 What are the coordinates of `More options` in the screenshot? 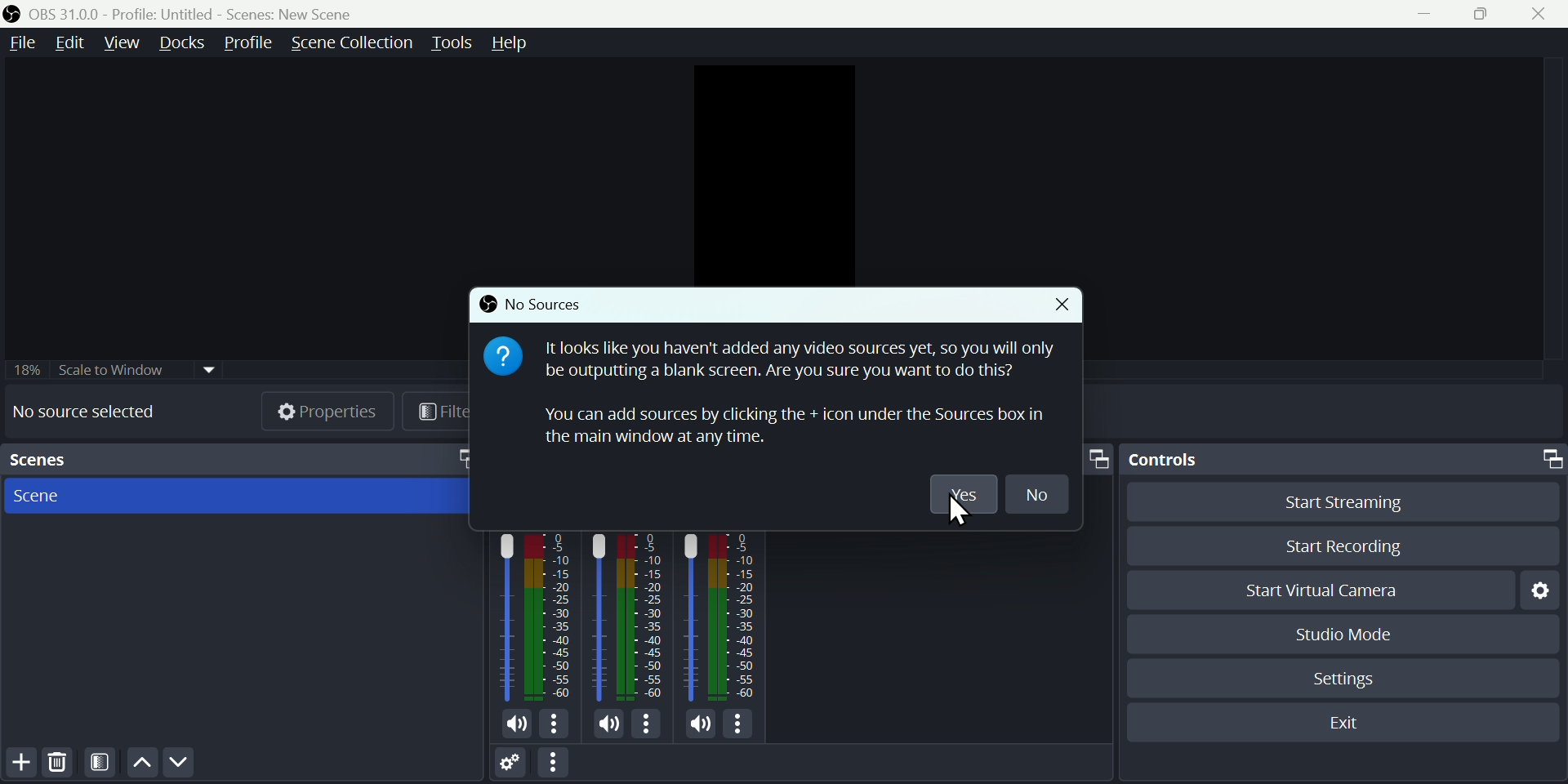 It's located at (557, 764).